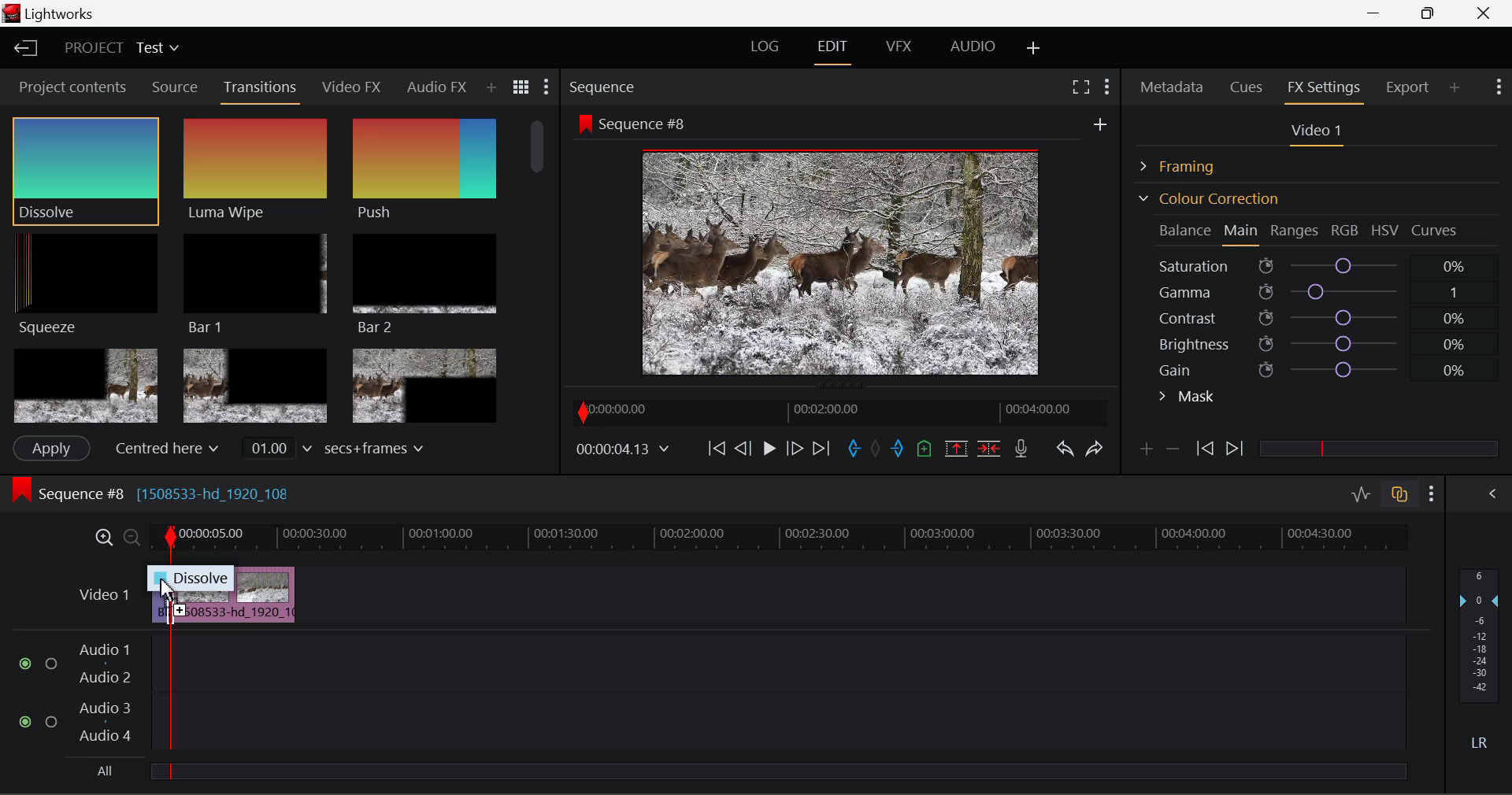 This screenshot has height=795, width=1512. I want to click on Mark In, so click(855, 449).